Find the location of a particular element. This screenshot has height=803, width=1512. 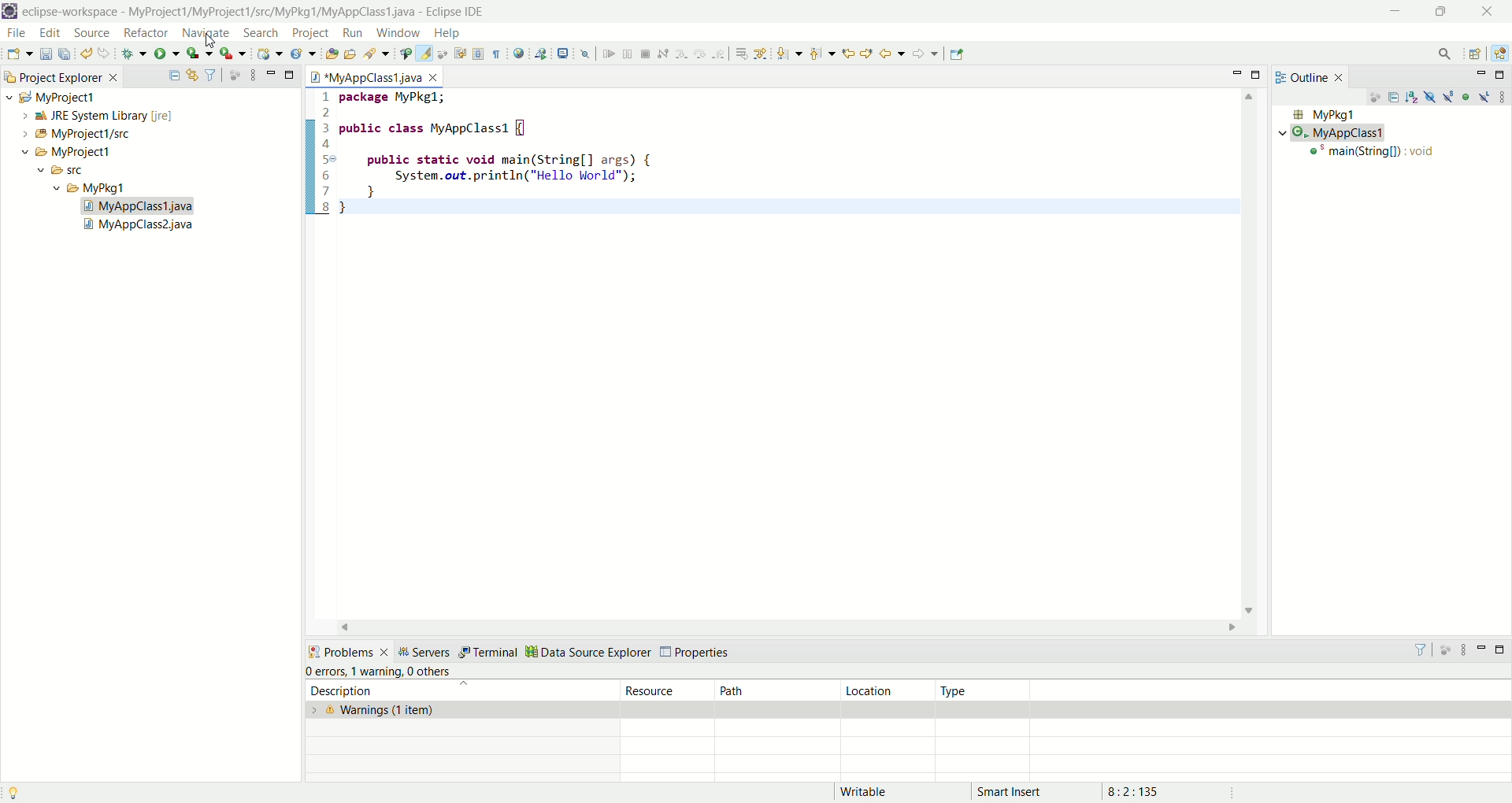

location is located at coordinates (887, 690).